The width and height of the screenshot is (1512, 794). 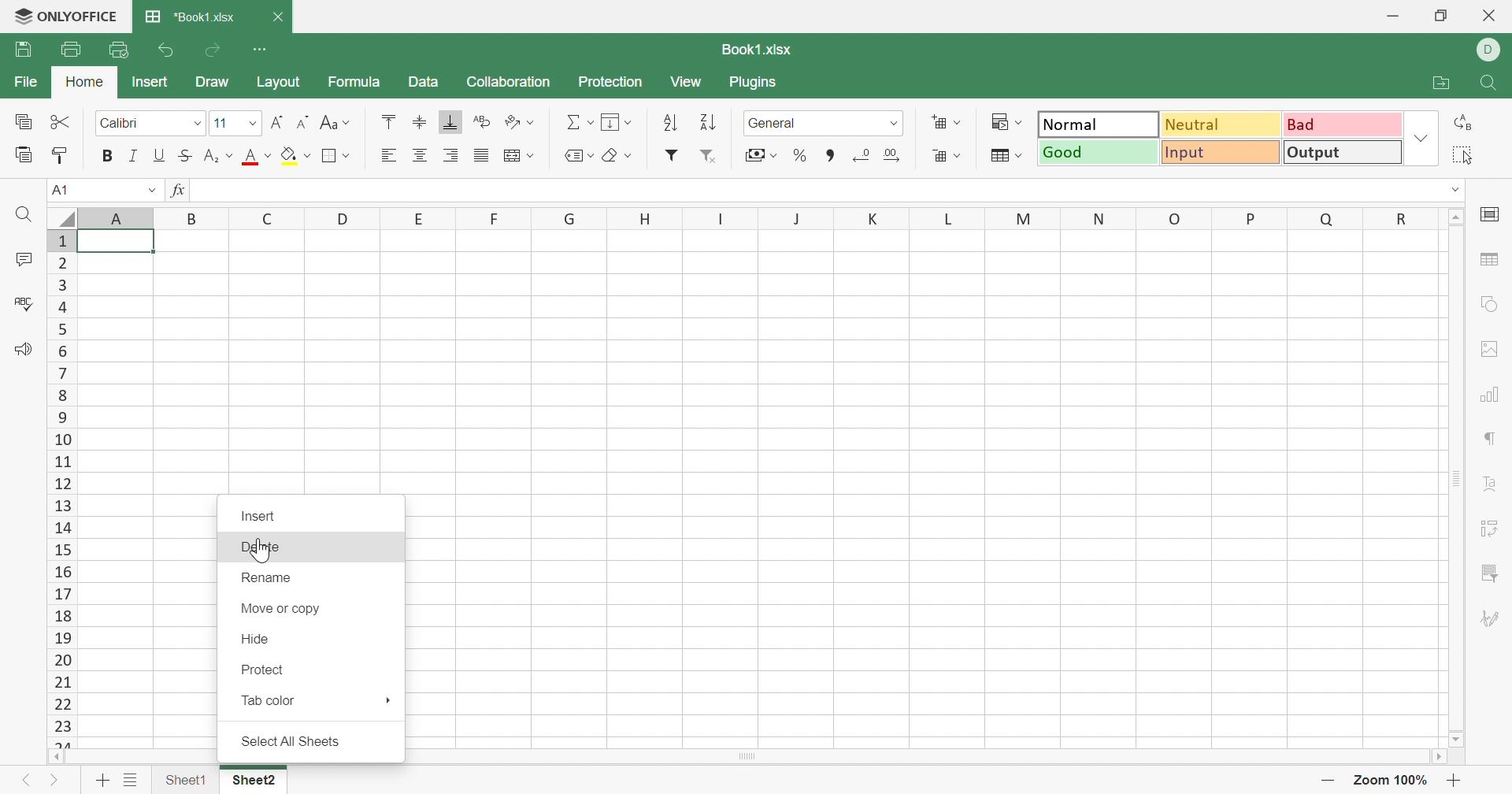 I want to click on Align Bottom, so click(x=453, y=123).